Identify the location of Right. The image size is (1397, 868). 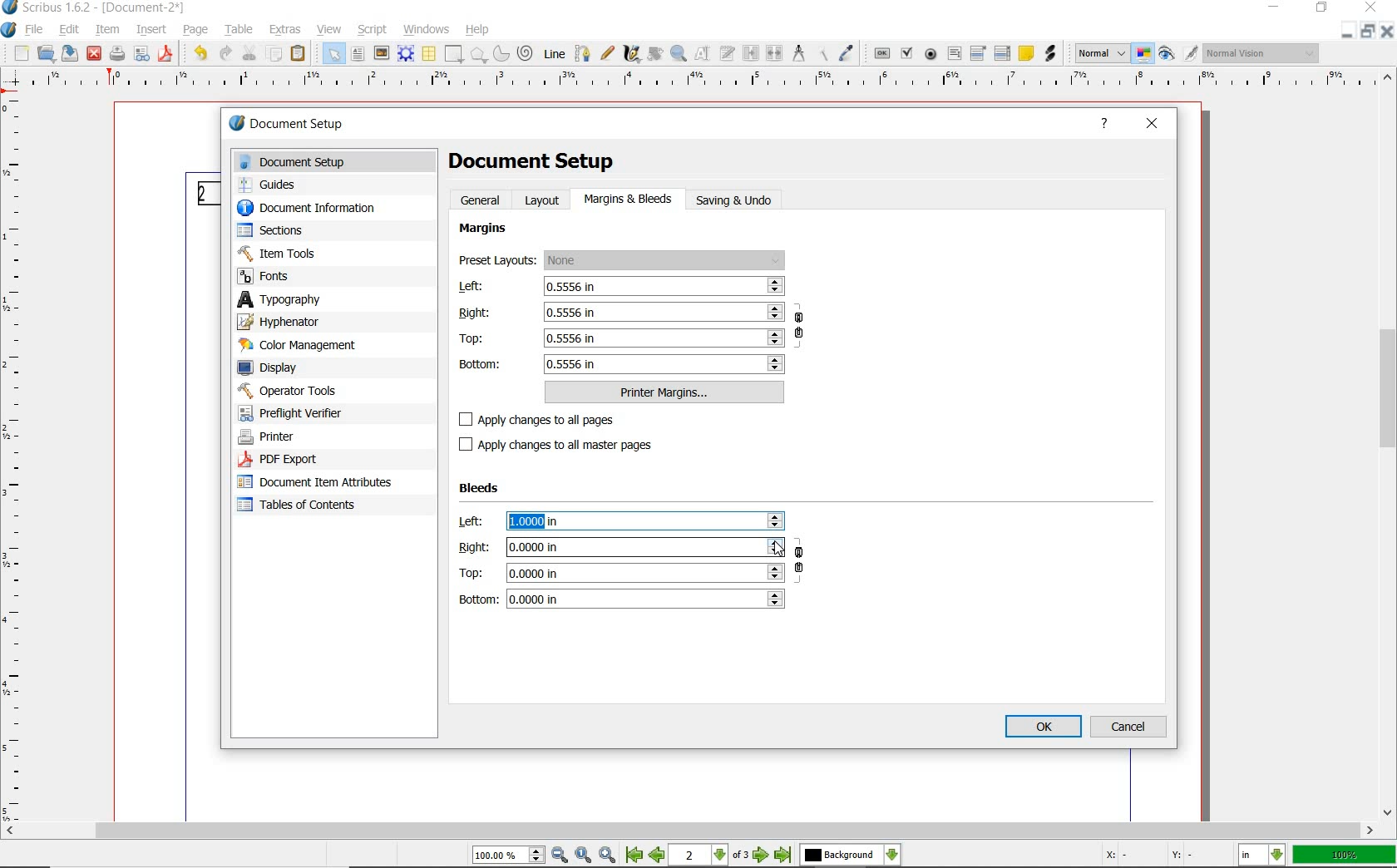
(621, 311).